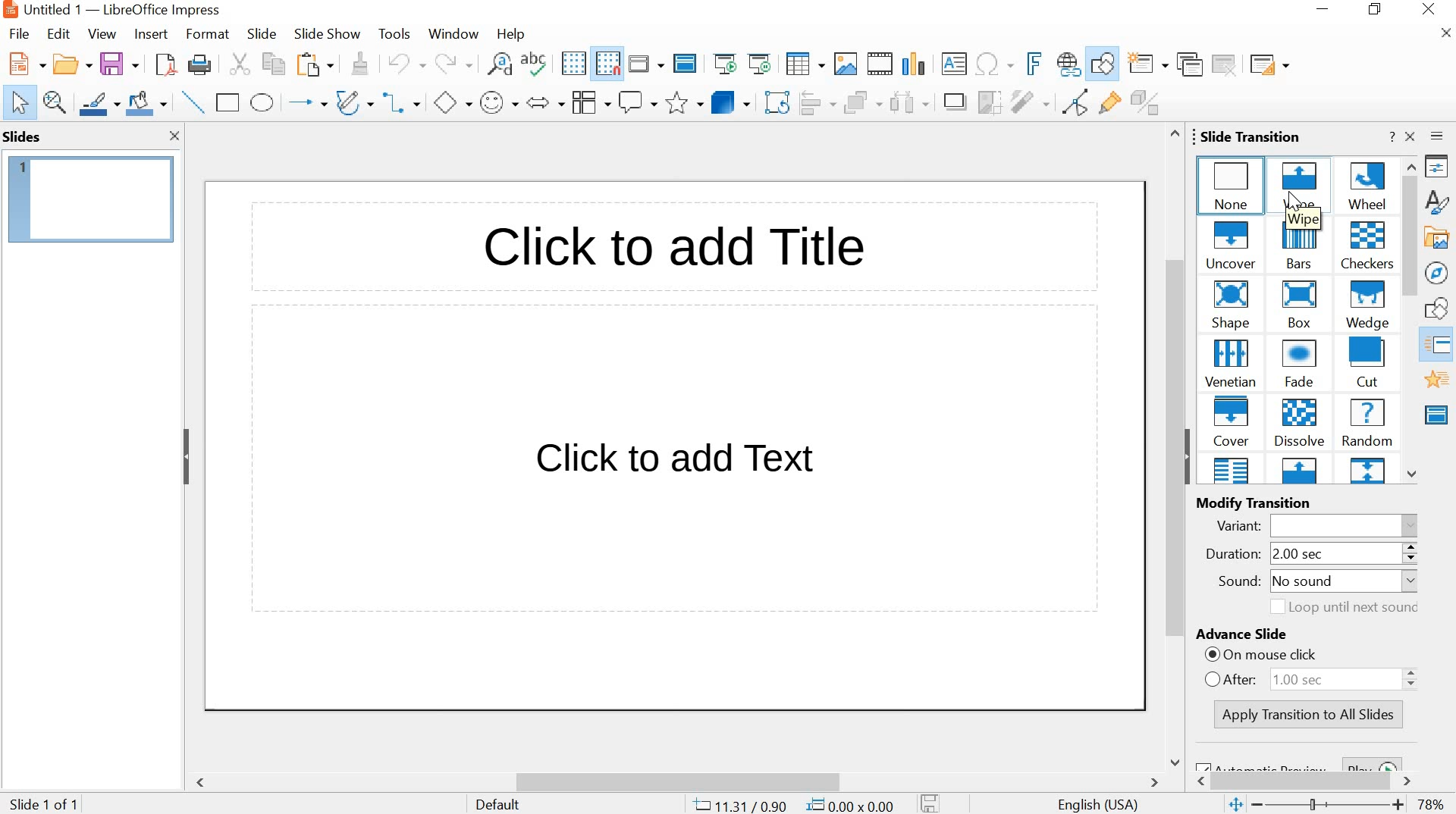 The height and width of the screenshot is (814, 1456). I want to click on WINDOW, so click(455, 35).